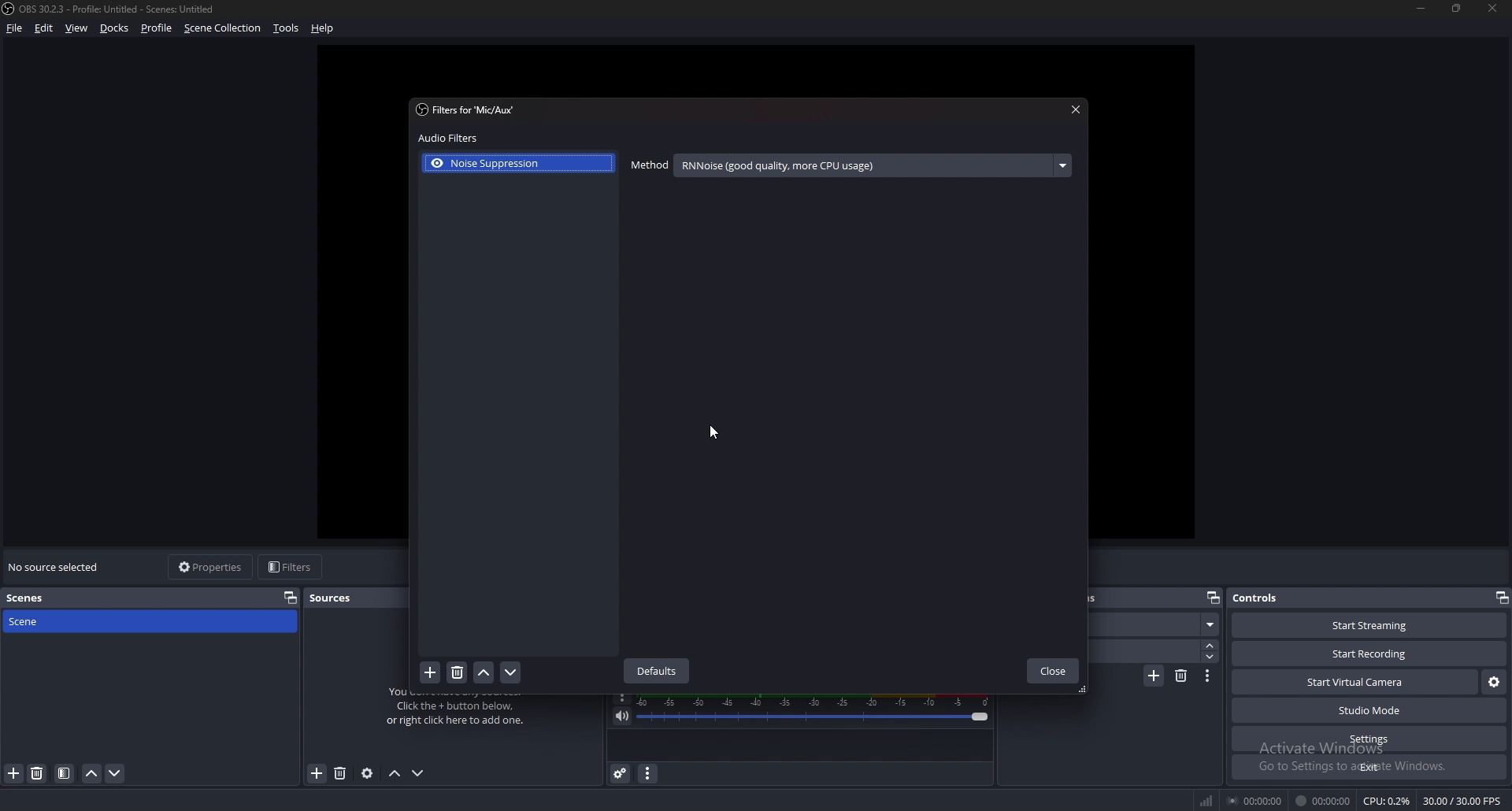 The width and height of the screenshot is (1512, 811). Describe the element at coordinates (368, 774) in the screenshot. I see `source properties` at that location.